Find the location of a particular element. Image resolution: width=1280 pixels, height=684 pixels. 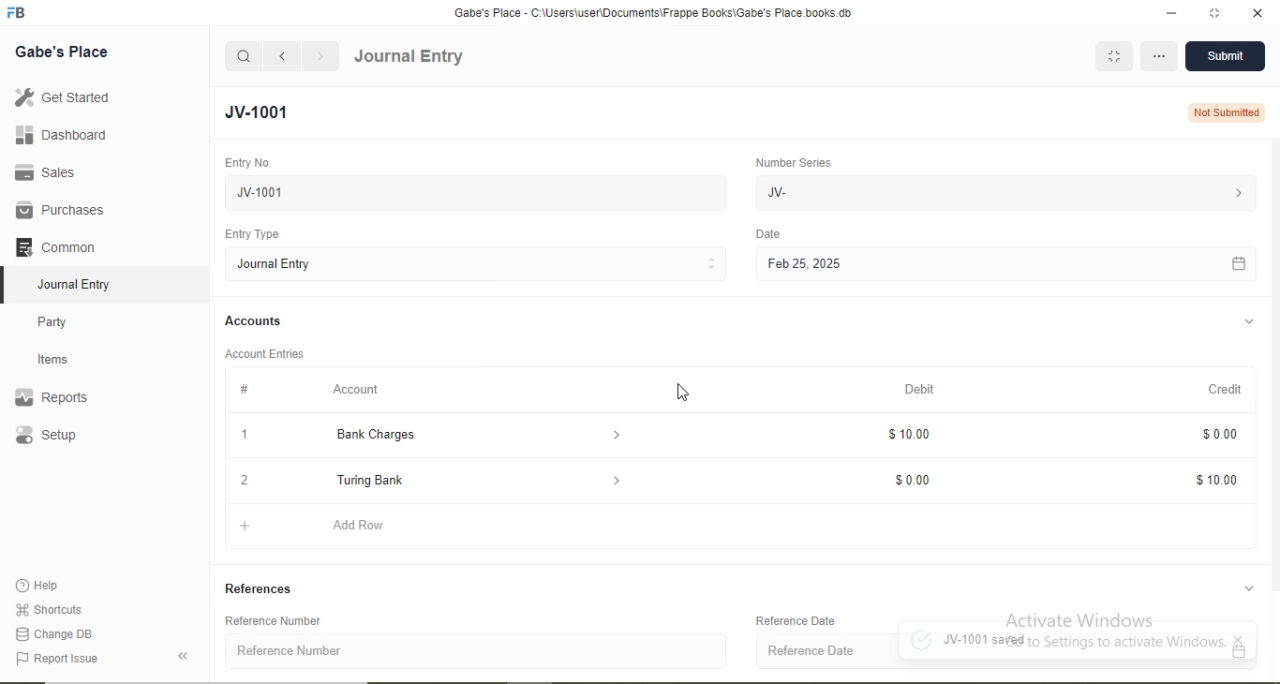

Party is located at coordinates (66, 320).